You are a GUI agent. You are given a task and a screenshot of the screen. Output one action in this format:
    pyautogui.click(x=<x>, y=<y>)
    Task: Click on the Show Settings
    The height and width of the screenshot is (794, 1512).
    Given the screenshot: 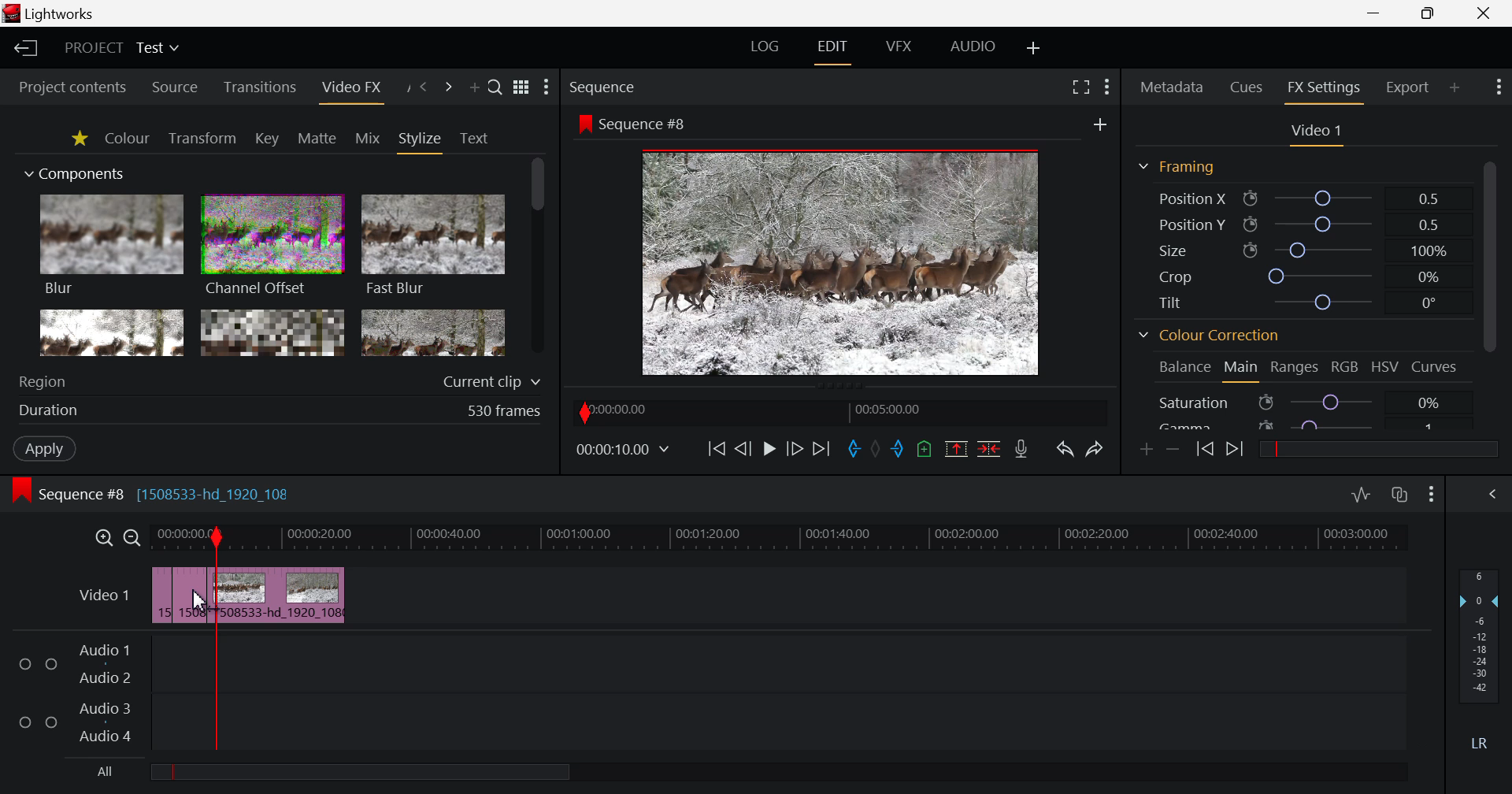 What is the action you would take?
    pyautogui.click(x=1107, y=90)
    